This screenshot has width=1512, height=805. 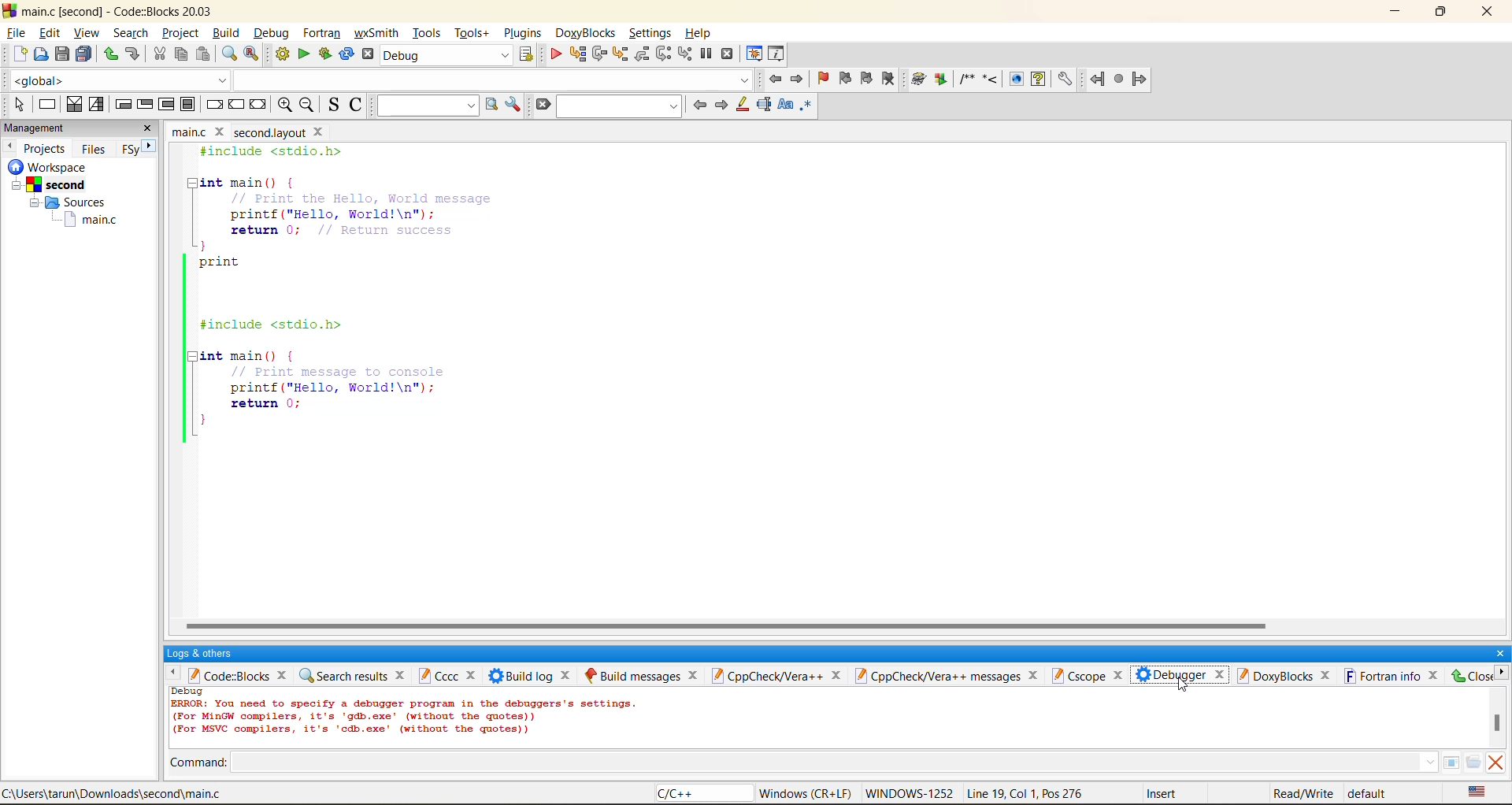 I want to click on next line, so click(x=599, y=54).